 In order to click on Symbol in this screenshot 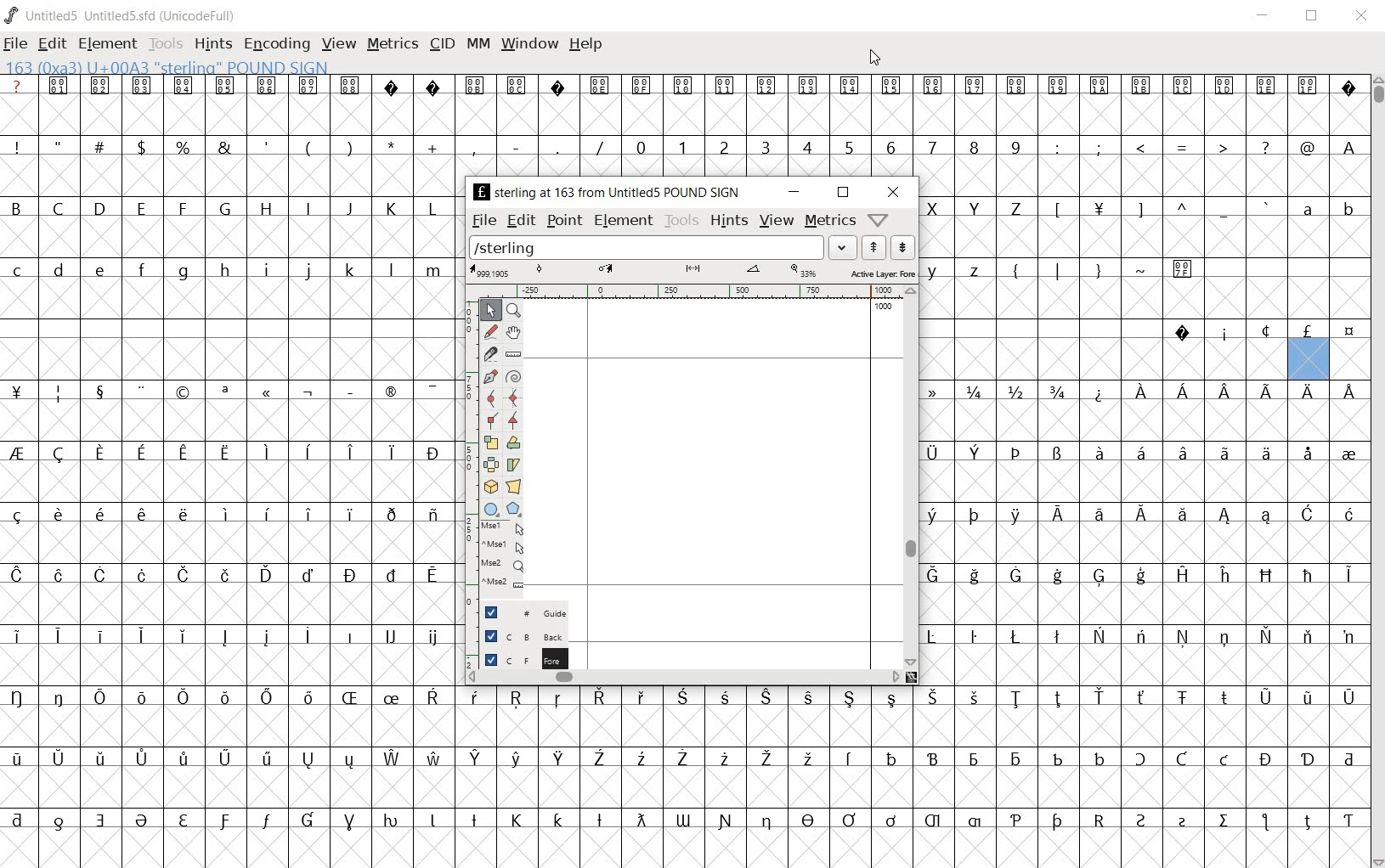, I will do `click(59, 697)`.